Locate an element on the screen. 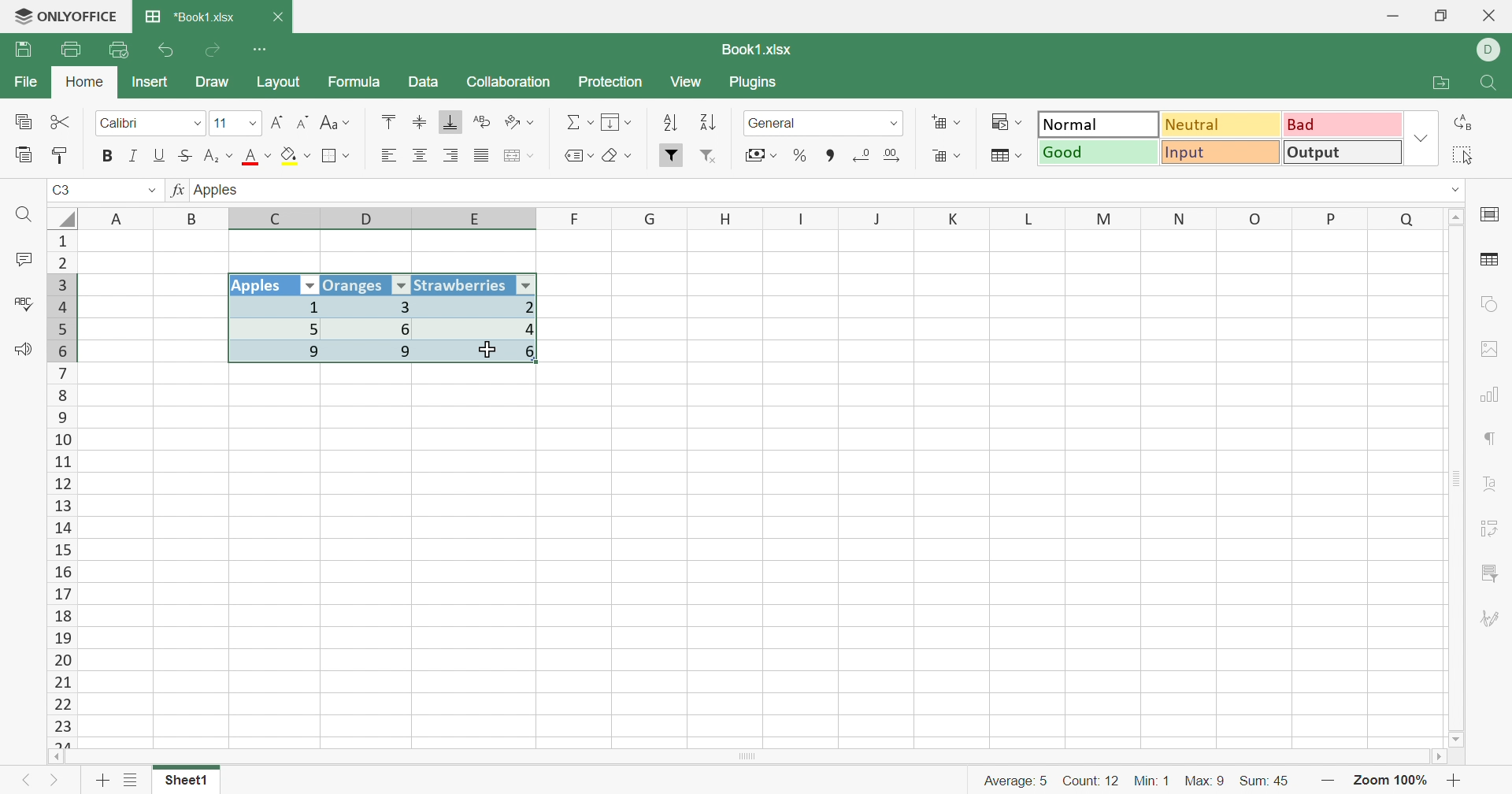  6 is located at coordinates (378, 328).